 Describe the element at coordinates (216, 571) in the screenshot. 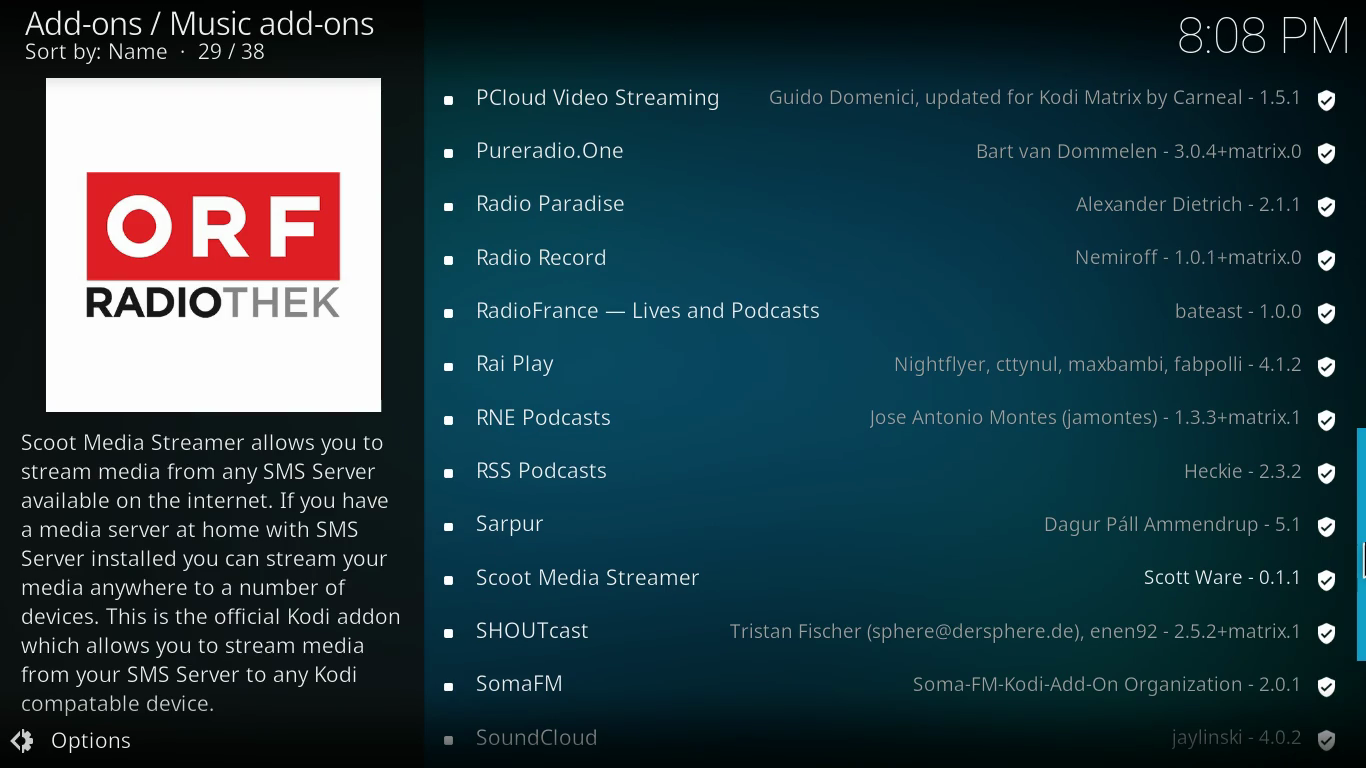

I see `description` at that location.